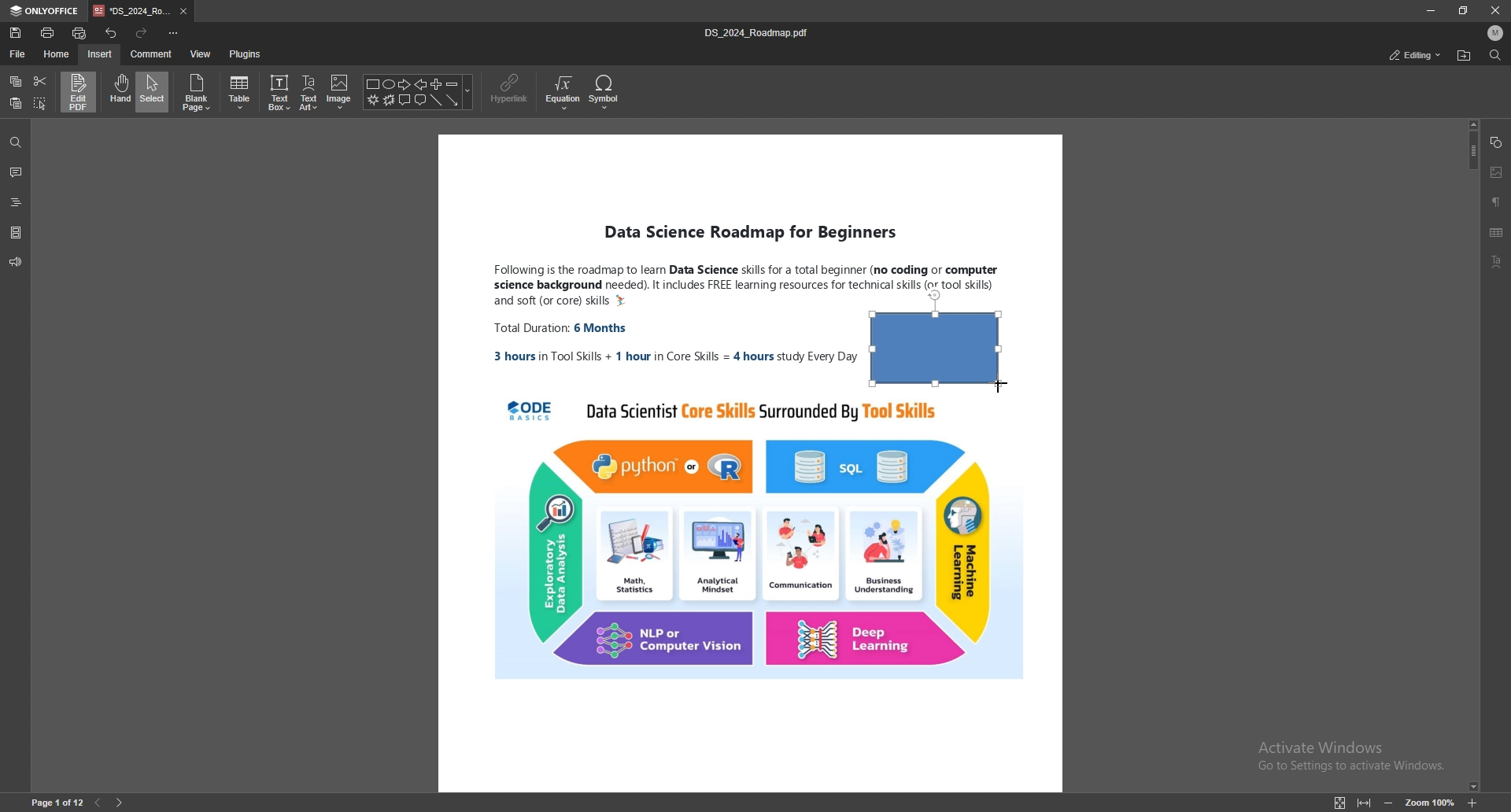  Describe the element at coordinates (41, 103) in the screenshot. I see `select` at that location.